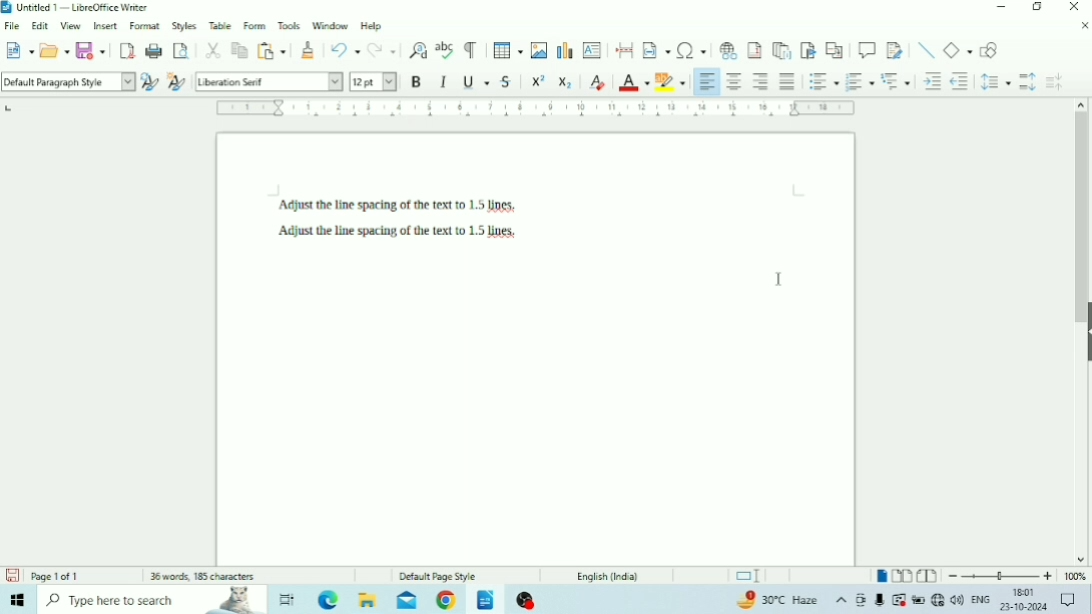 The width and height of the screenshot is (1092, 614). I want to click on Restore Down, so click(1037, 7).